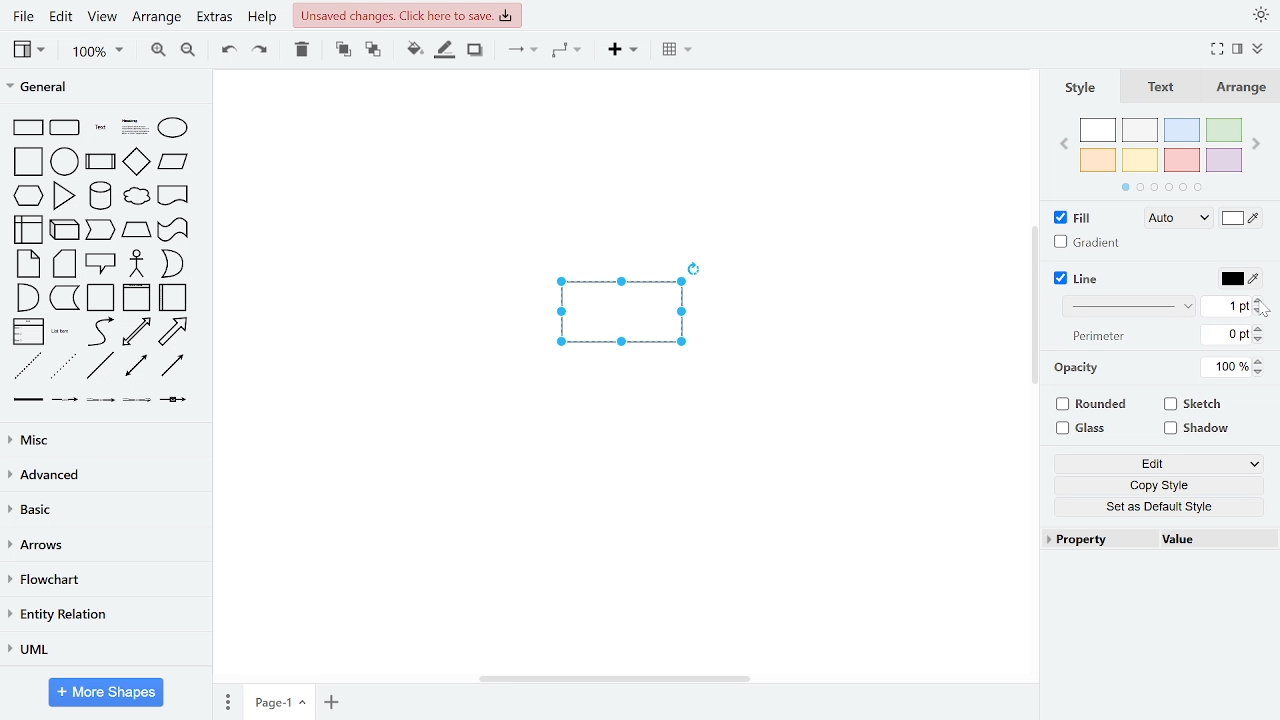  What do you see at coordinates (478, 51) in the screenshot?
I see `shadow` at bounding box center [478, 51].